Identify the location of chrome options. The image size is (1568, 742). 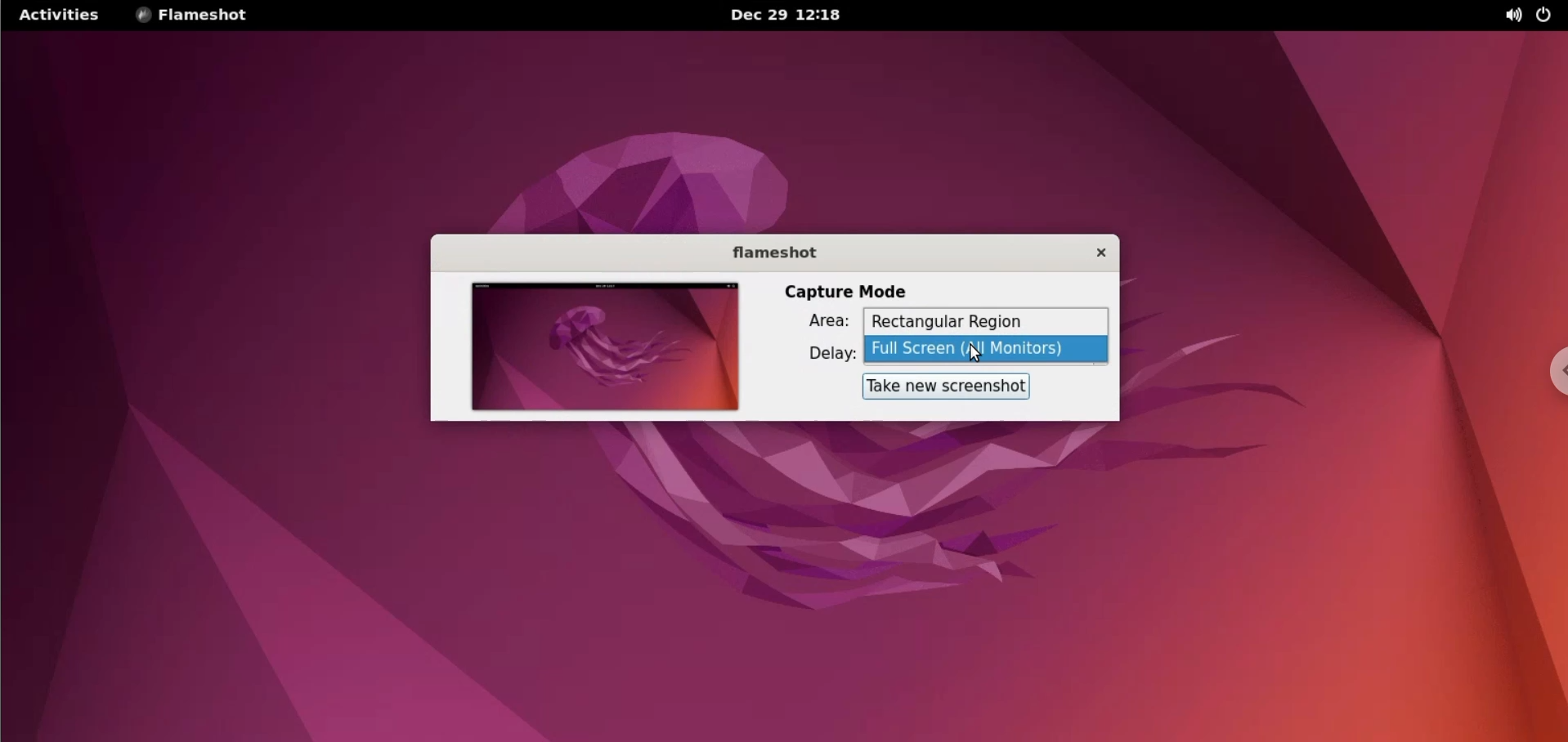
(1558, 369).